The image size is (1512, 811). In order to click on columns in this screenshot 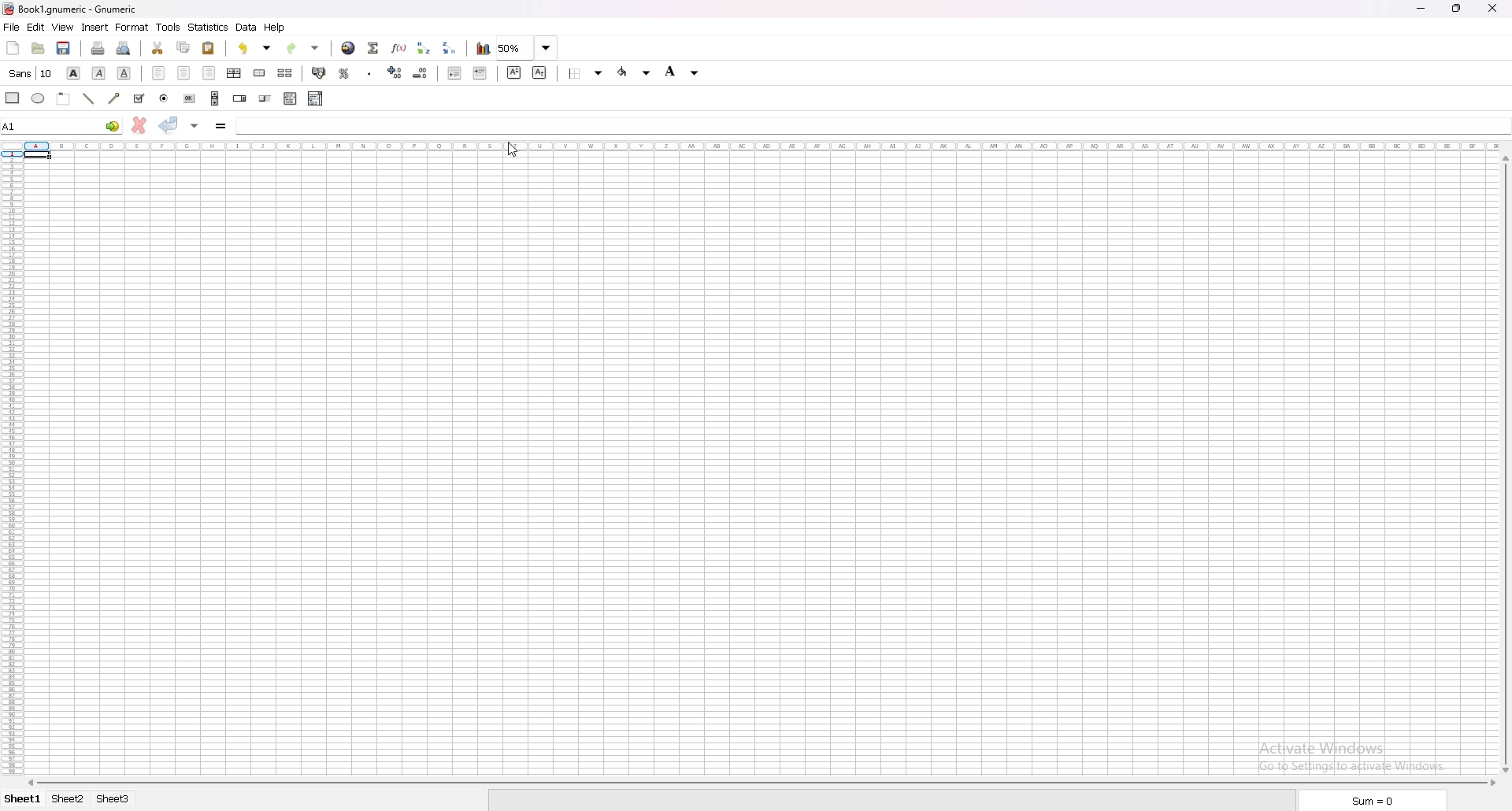, I will do `click(1013, 147)`.